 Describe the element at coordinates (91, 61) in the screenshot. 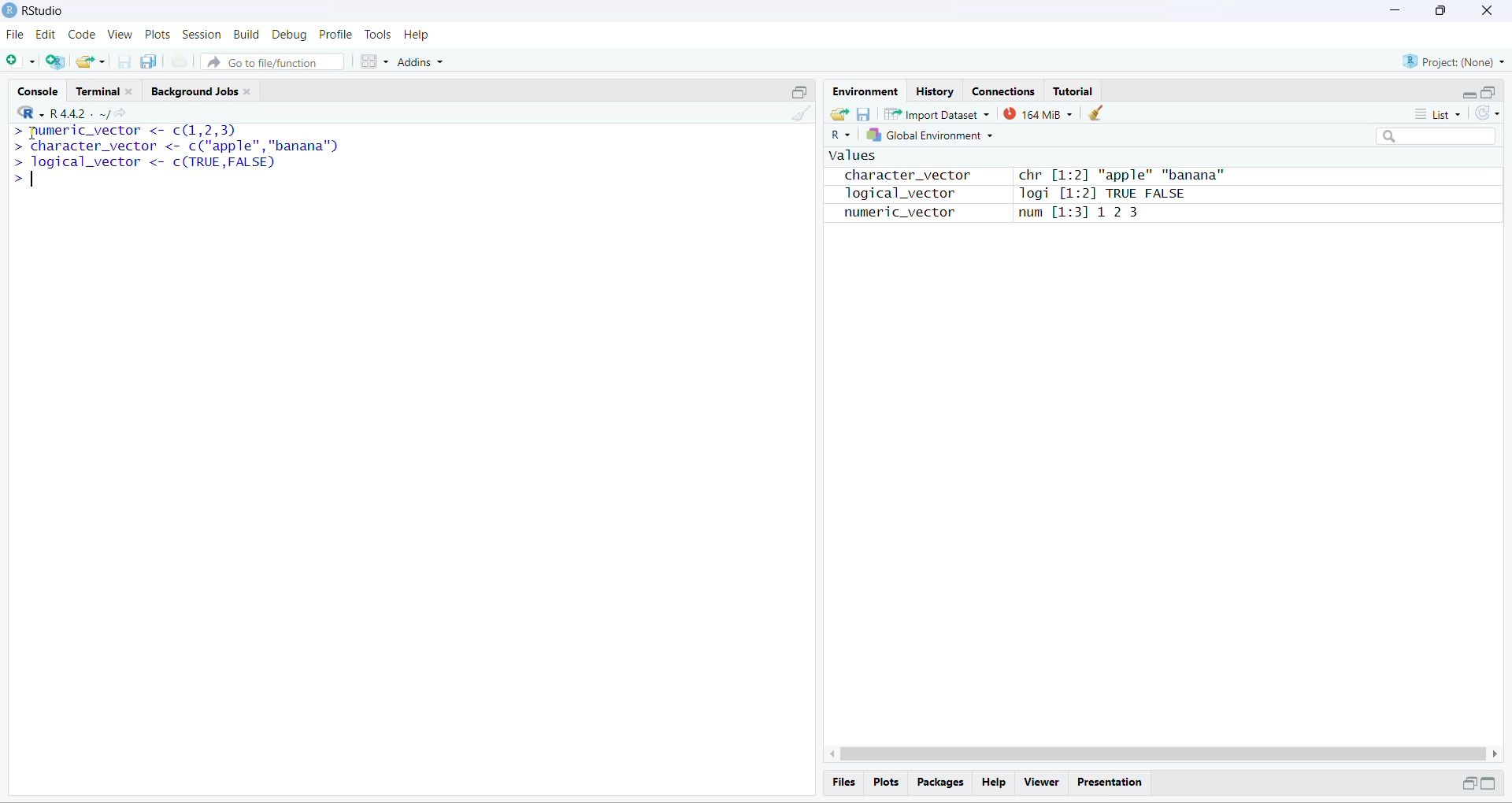

I see `open existing project` at that location.